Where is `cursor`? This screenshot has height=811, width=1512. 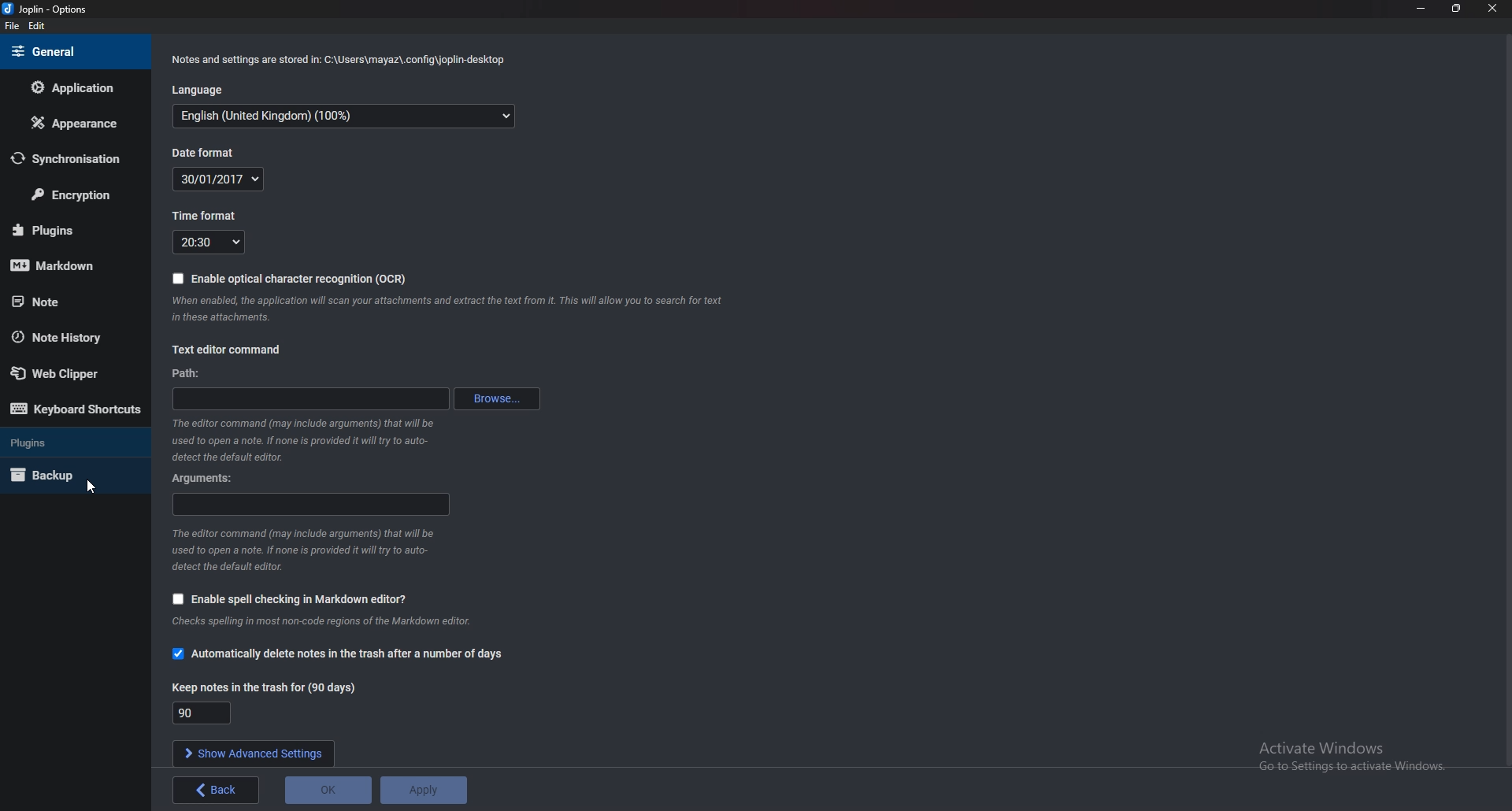
cursor is located at coordinates (91, 487).